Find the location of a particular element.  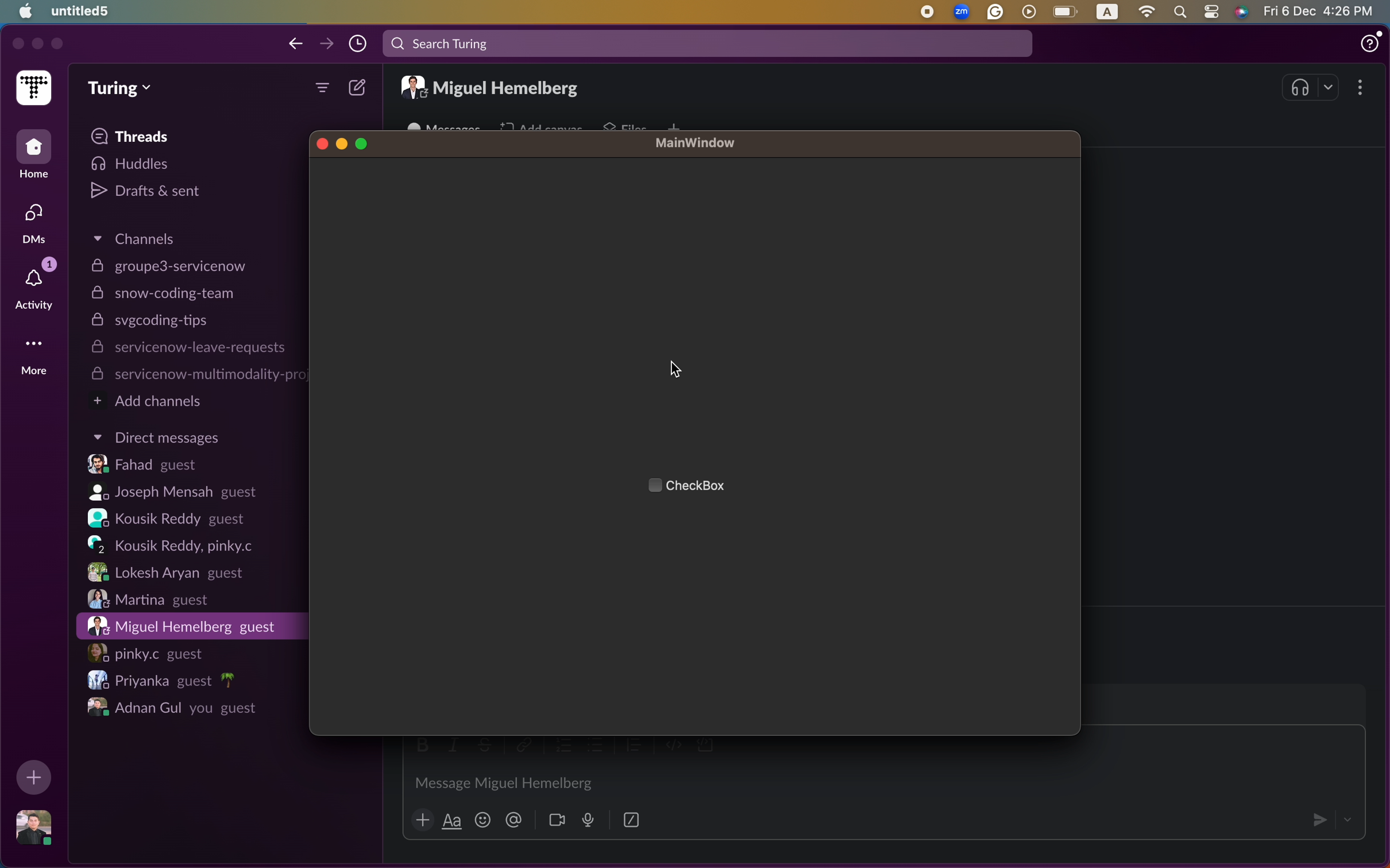

wifi is located at coordinates (1147, 11).